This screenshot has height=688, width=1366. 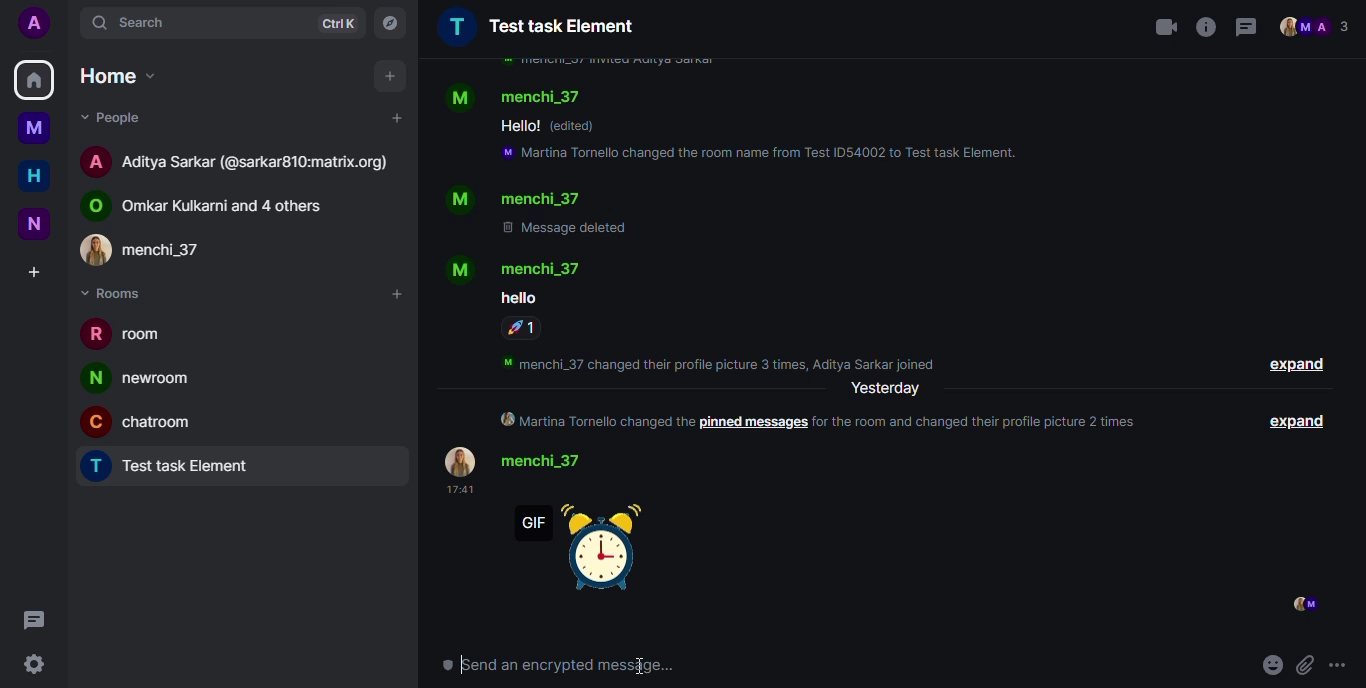 What do you see at coordinates (1246, 27) in the screenshot?
I see `threads` at bounding box center [1246, 27].